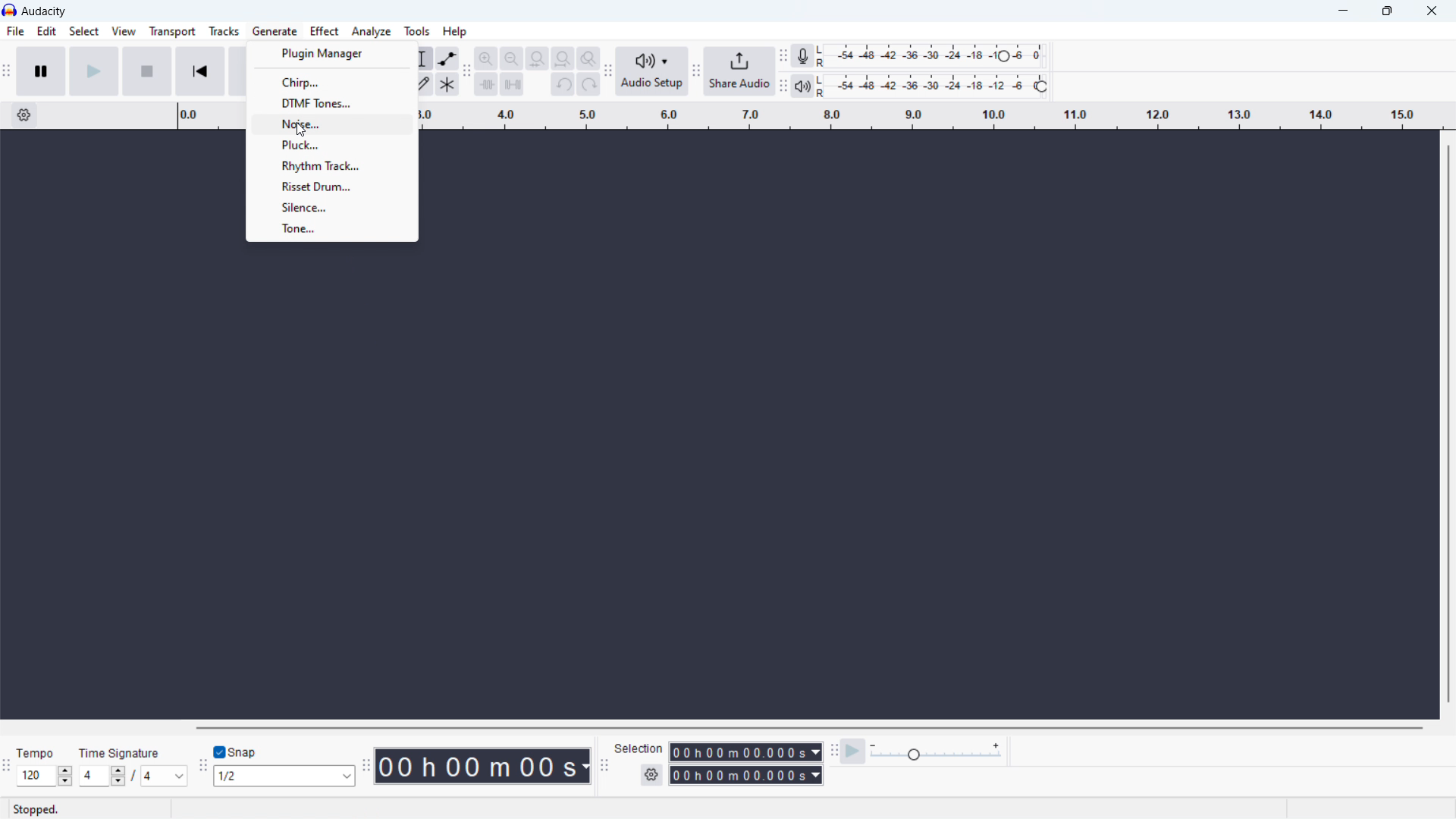 The image size is (1456, 819). I want to click on playback meter toolbar, so click(783, 87).